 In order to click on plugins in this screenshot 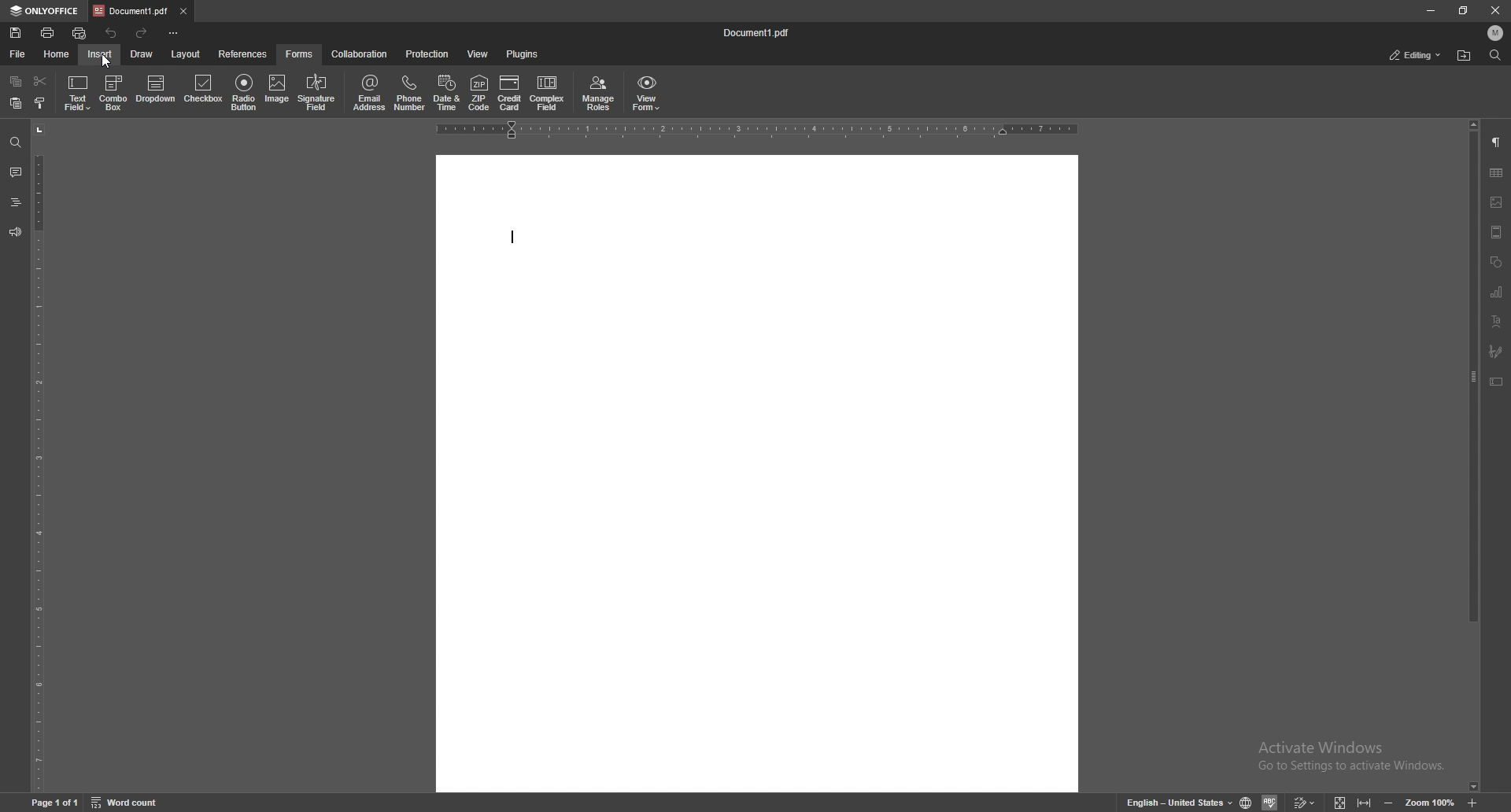, I will do `click(524, 54)`.